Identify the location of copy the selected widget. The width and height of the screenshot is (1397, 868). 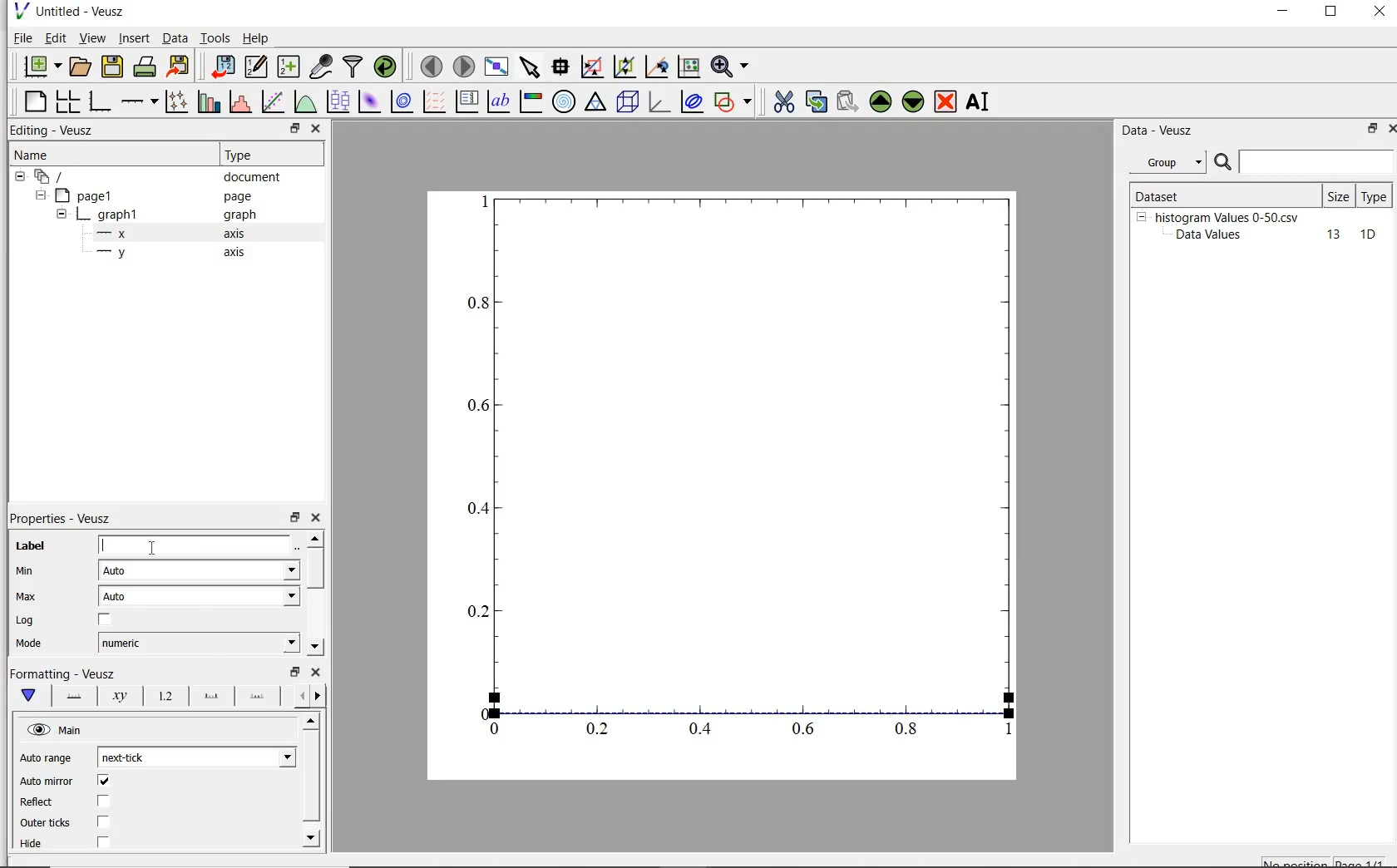
(815, 104).